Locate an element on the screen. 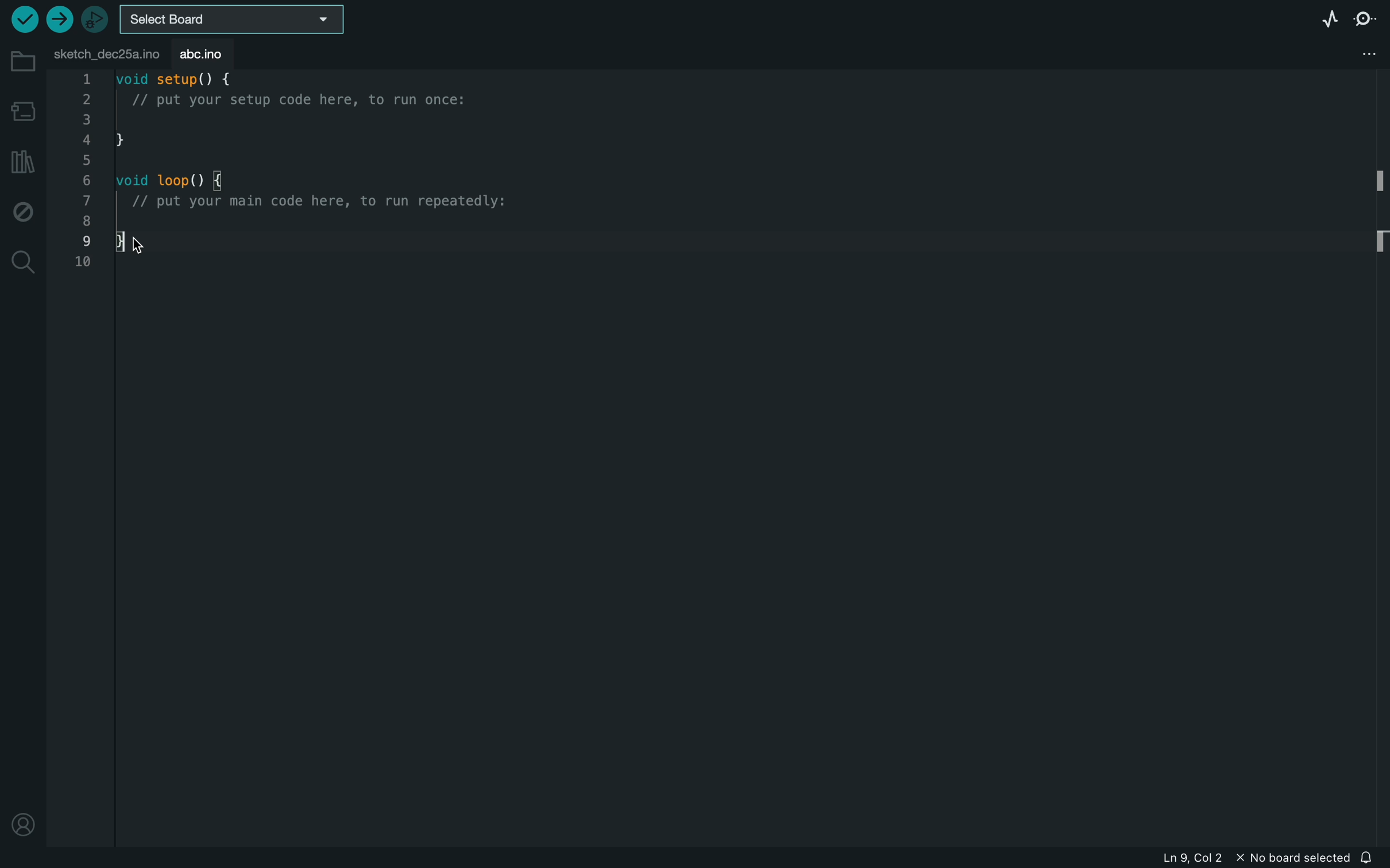  serial  plotter is located at coordinates (1329, 18).